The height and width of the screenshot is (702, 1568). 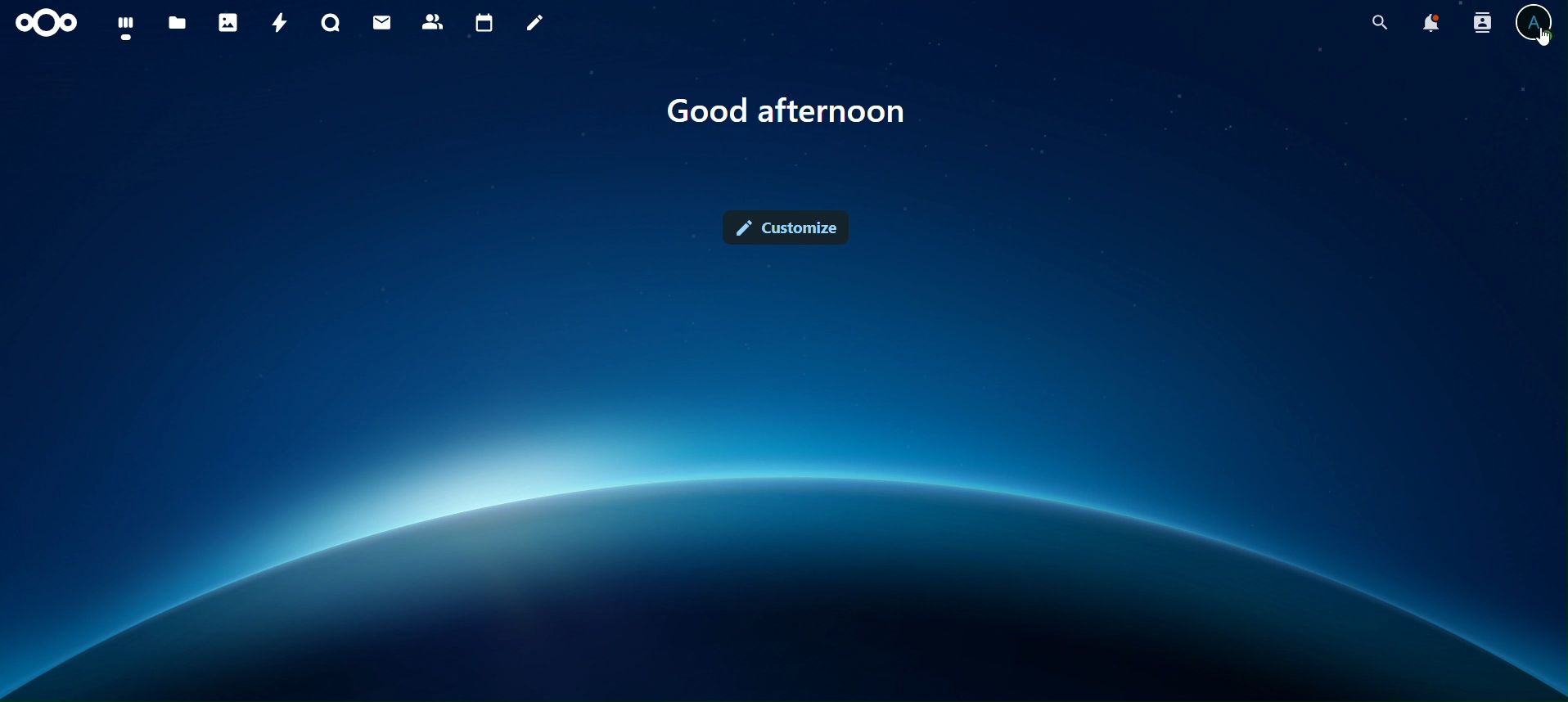 What do you see at coordinates (47, 23) in the screenshot?
I see `icon` at bounding box center [47, 23].